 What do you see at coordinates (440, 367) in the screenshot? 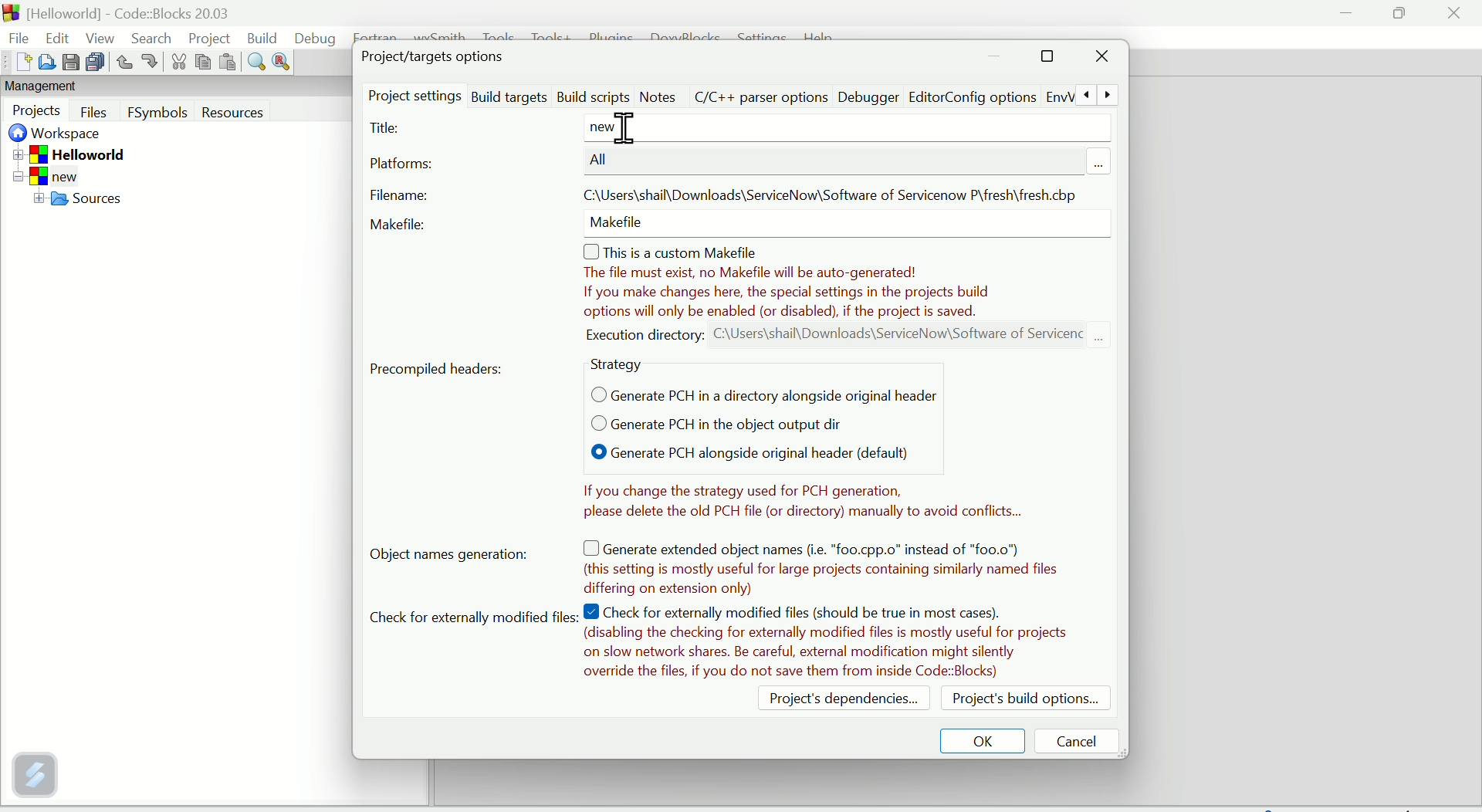
I see `Precompiled headers` at bounding box center [440, 367].